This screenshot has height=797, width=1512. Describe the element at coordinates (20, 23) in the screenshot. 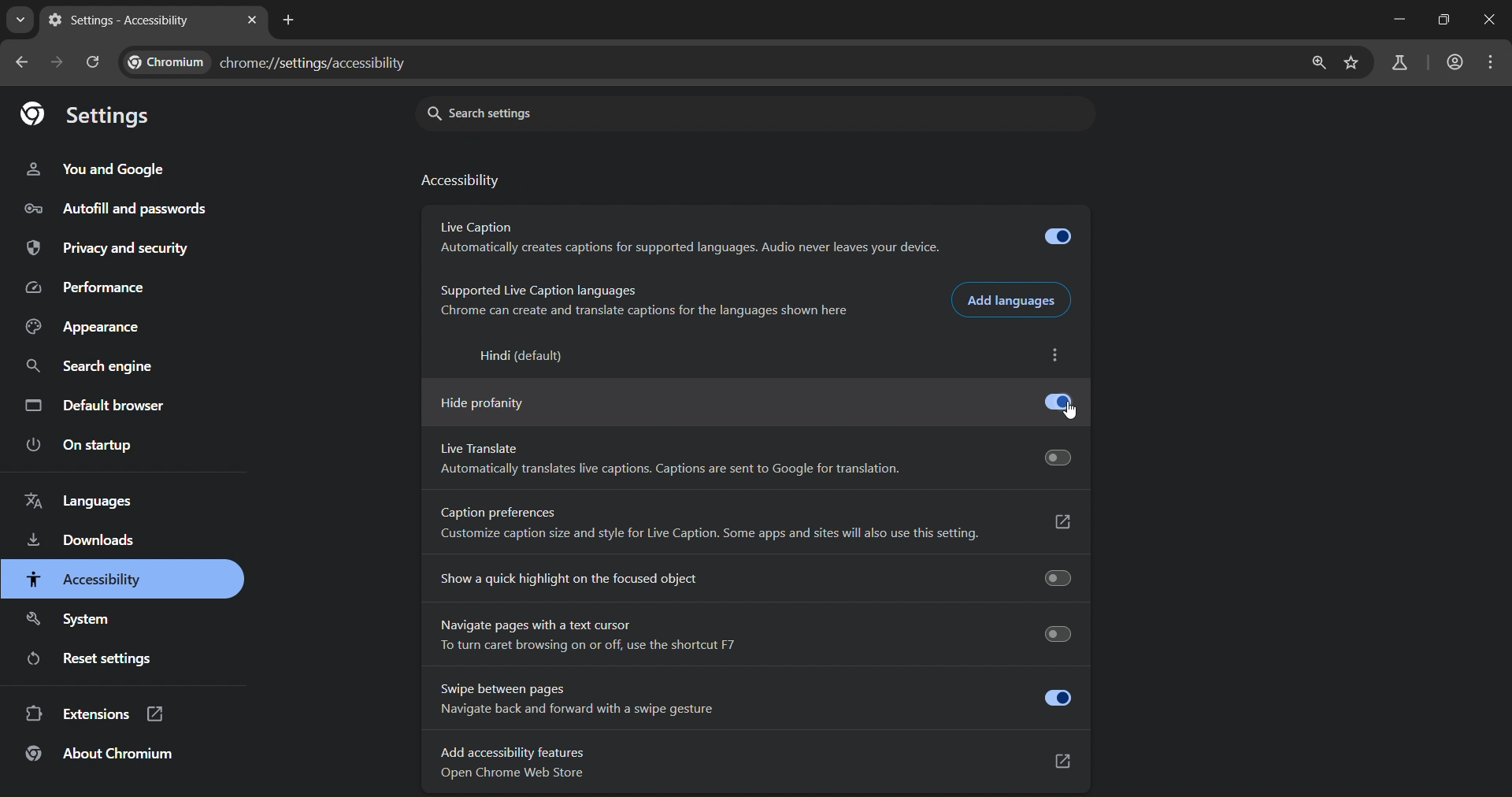

I see `search tab` at that location.